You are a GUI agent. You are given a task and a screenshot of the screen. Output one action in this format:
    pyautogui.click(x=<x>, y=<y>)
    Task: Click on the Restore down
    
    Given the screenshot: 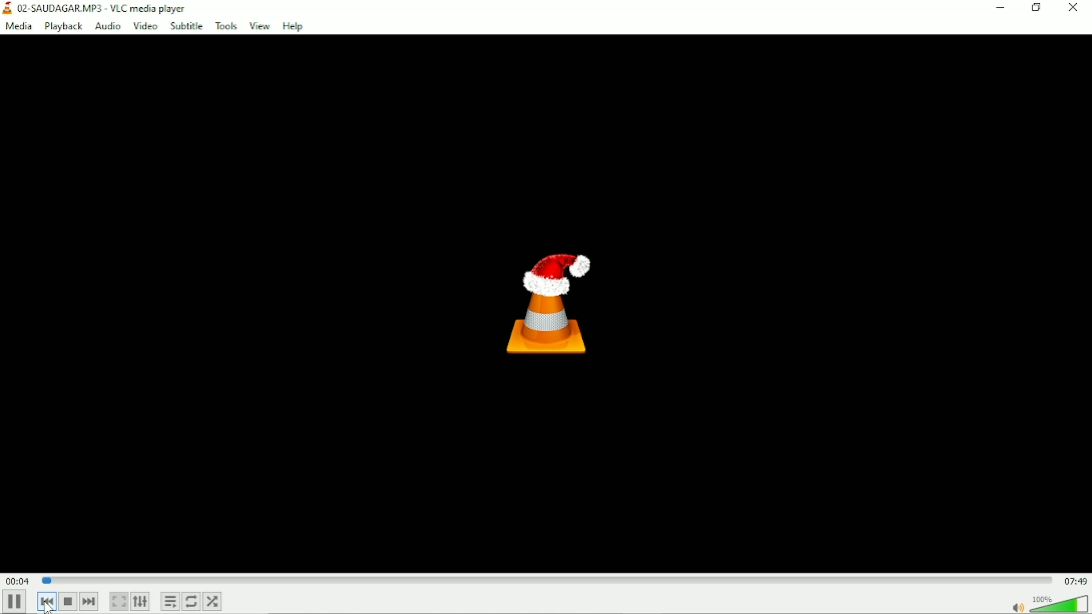 What is the action you would take?
    pyautogui.click(x=1038, y=8)
    